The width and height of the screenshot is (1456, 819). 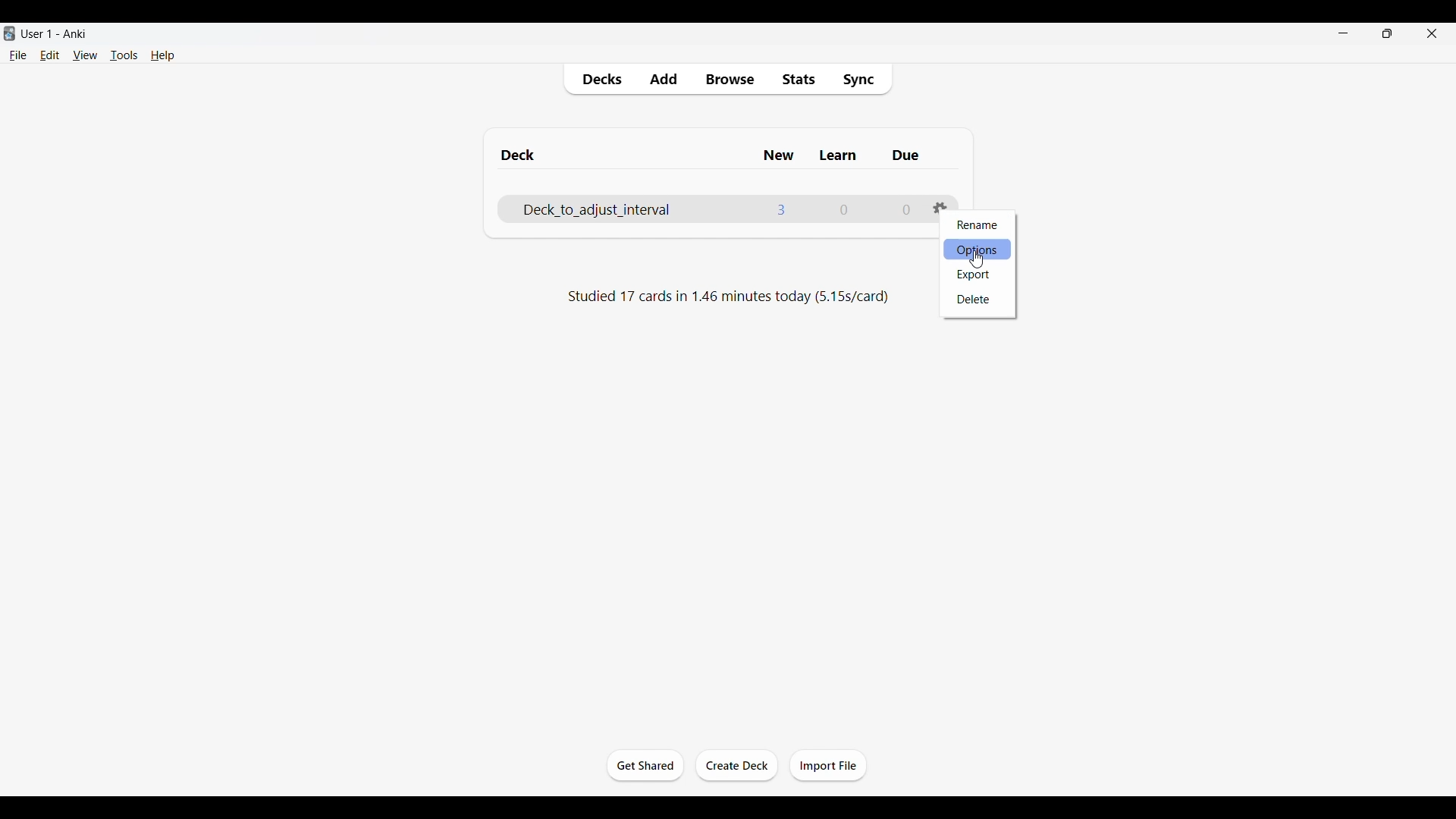 I want to click on Minimize, so click(x=1344, y=33).